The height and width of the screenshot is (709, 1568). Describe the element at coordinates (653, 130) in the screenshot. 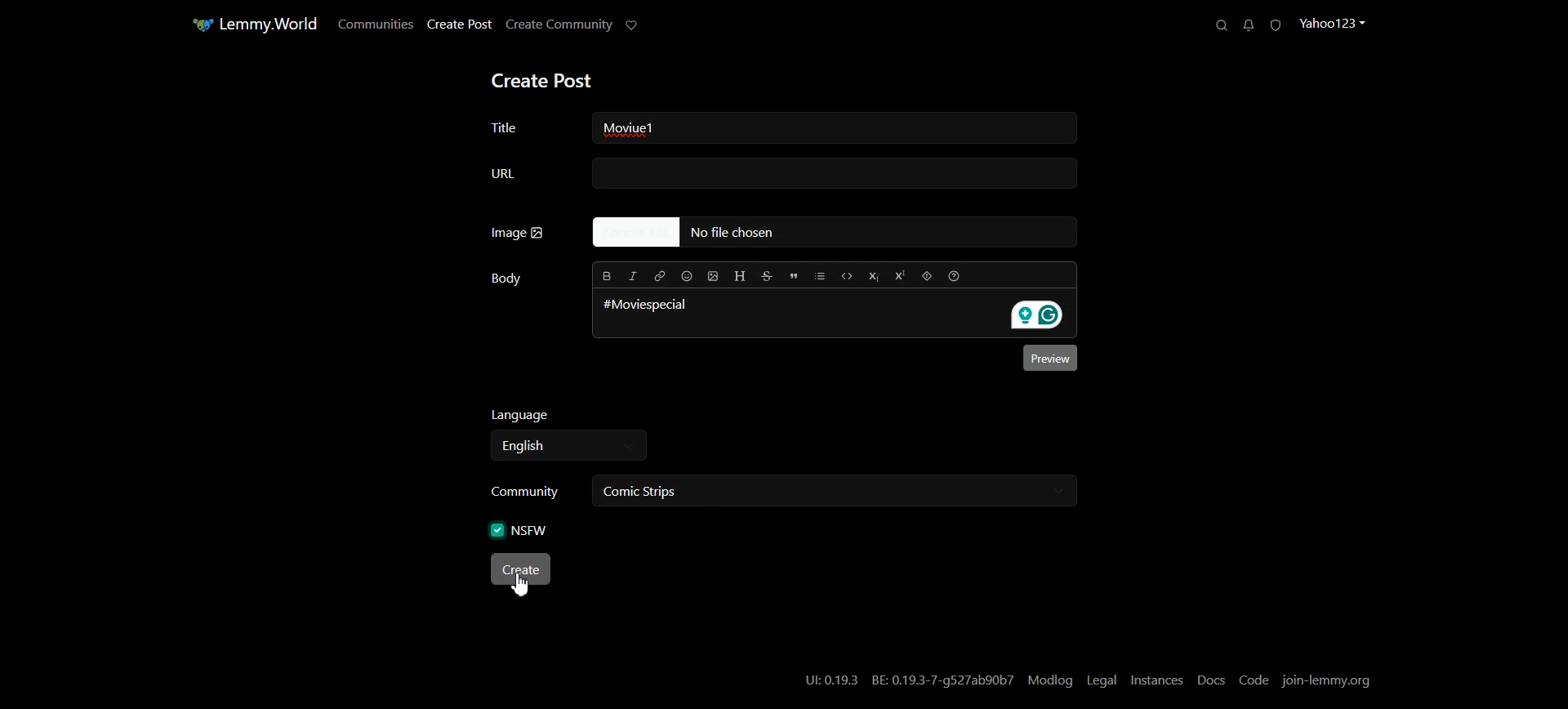

I see `Moviue1` at that location.